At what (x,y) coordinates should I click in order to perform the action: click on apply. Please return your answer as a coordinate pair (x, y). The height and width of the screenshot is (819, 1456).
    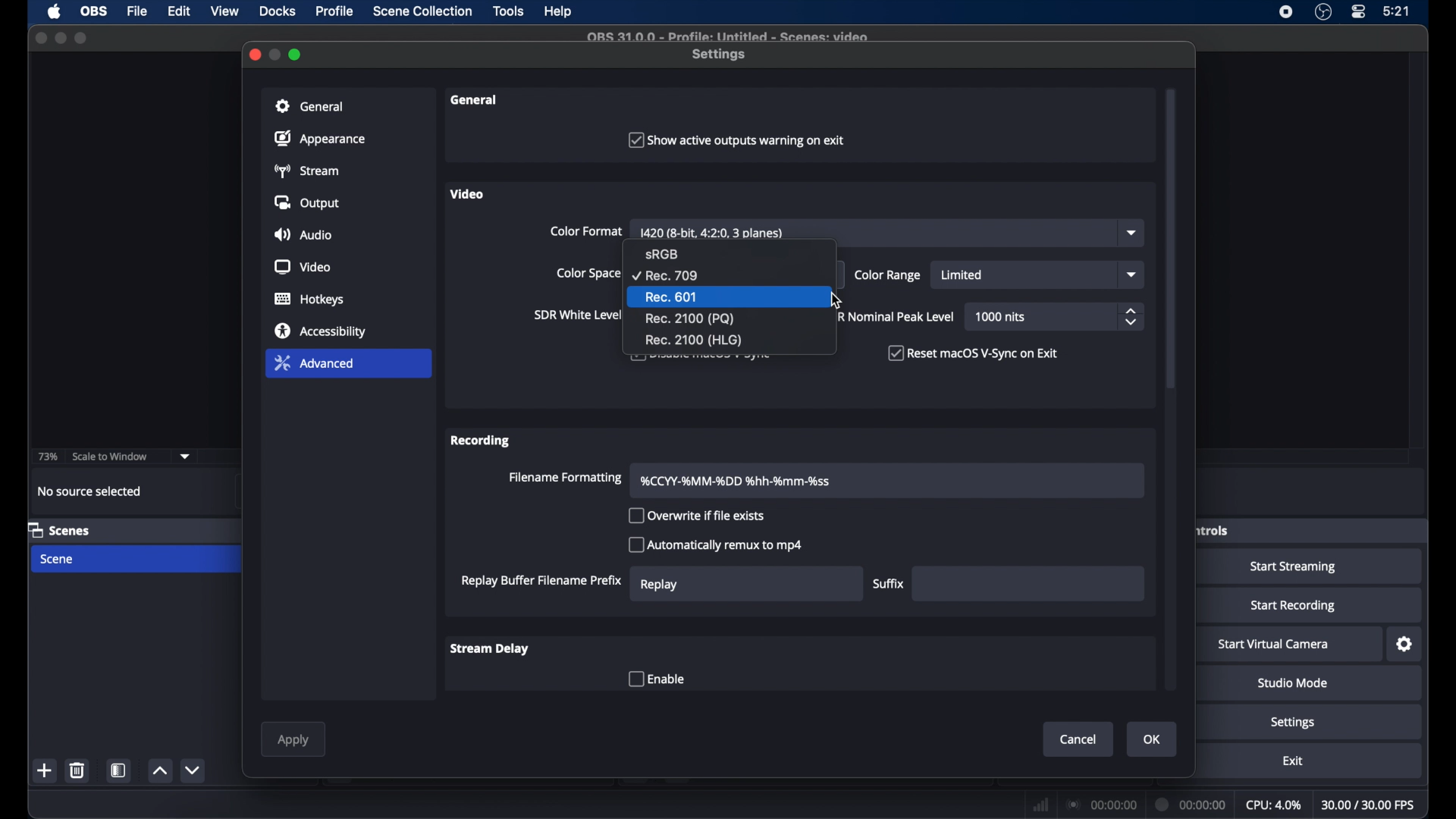
    Looking at the image, I should click on (292, 740).